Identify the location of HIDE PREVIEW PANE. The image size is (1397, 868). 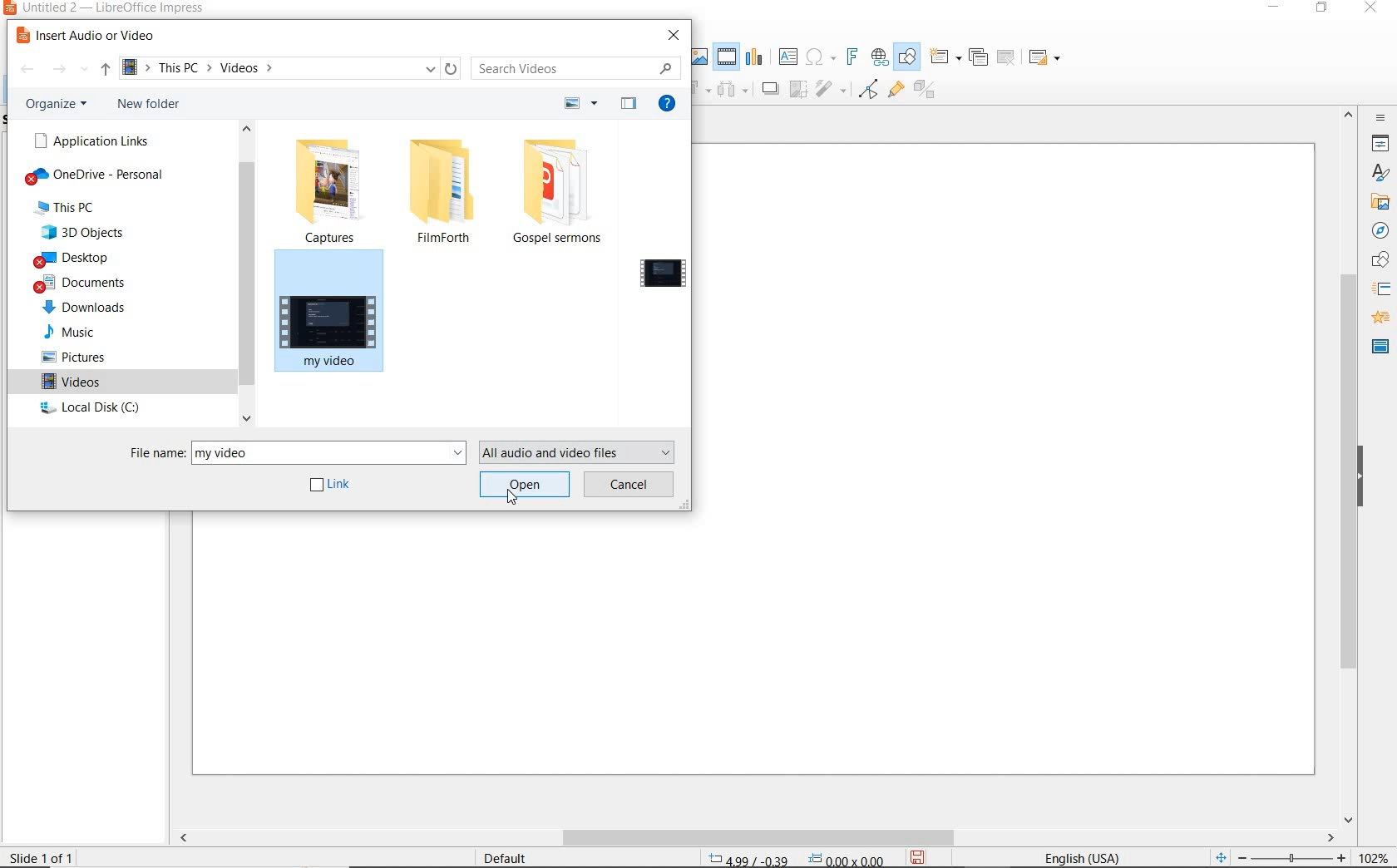
(626, 104).